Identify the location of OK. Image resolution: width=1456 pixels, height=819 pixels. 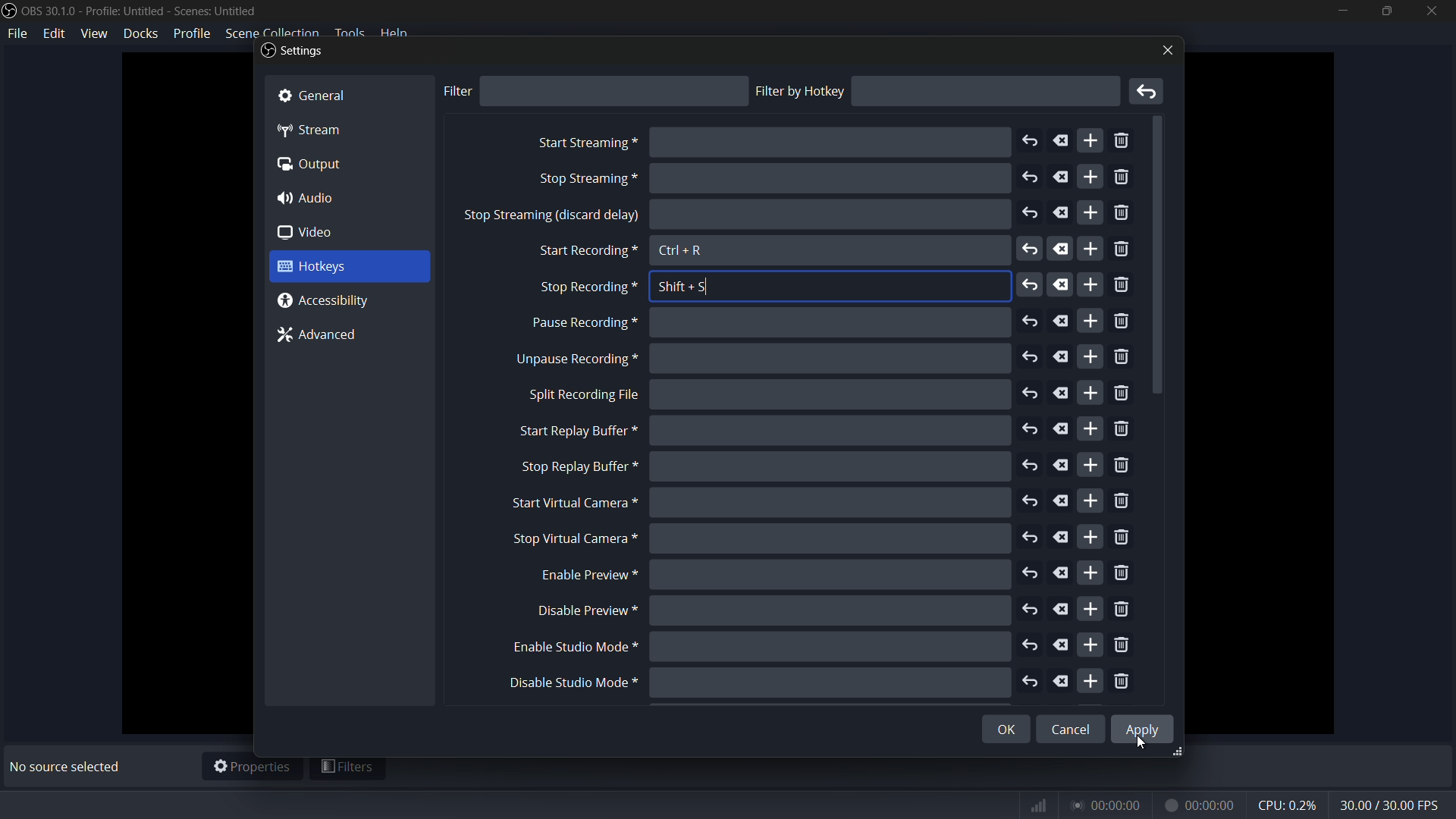
(994, 731).